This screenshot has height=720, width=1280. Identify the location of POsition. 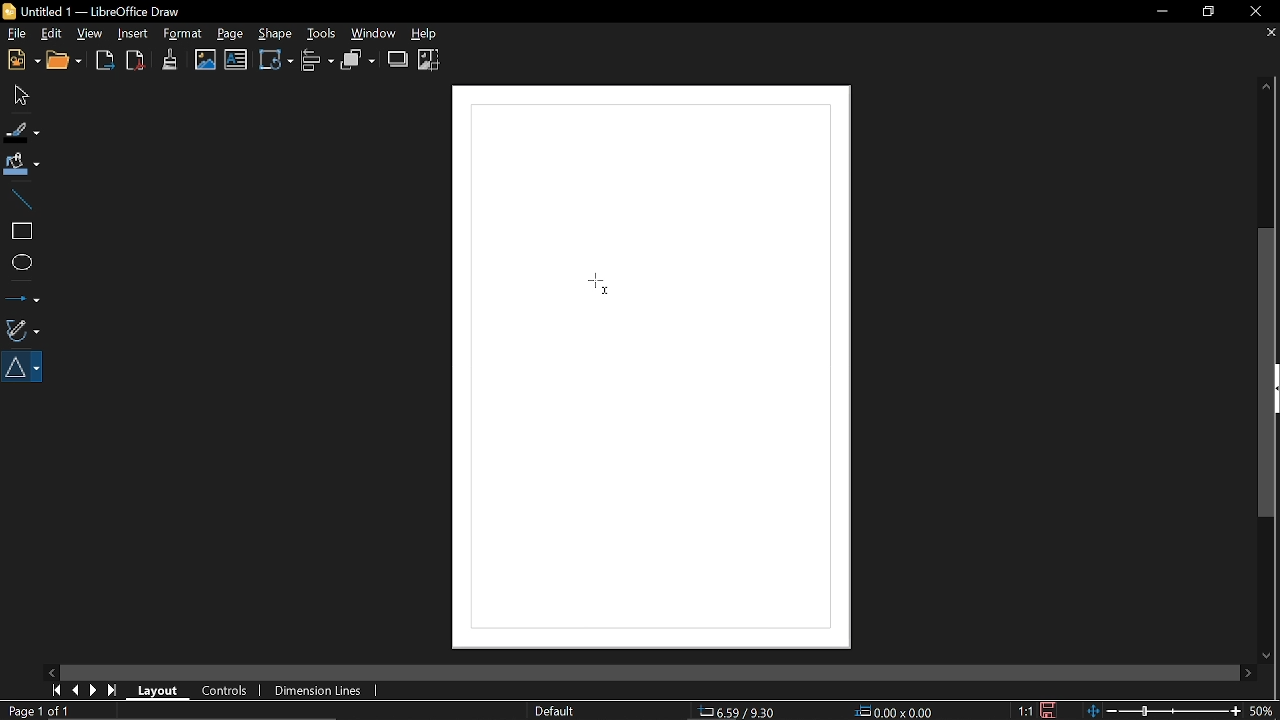
(747, 710).